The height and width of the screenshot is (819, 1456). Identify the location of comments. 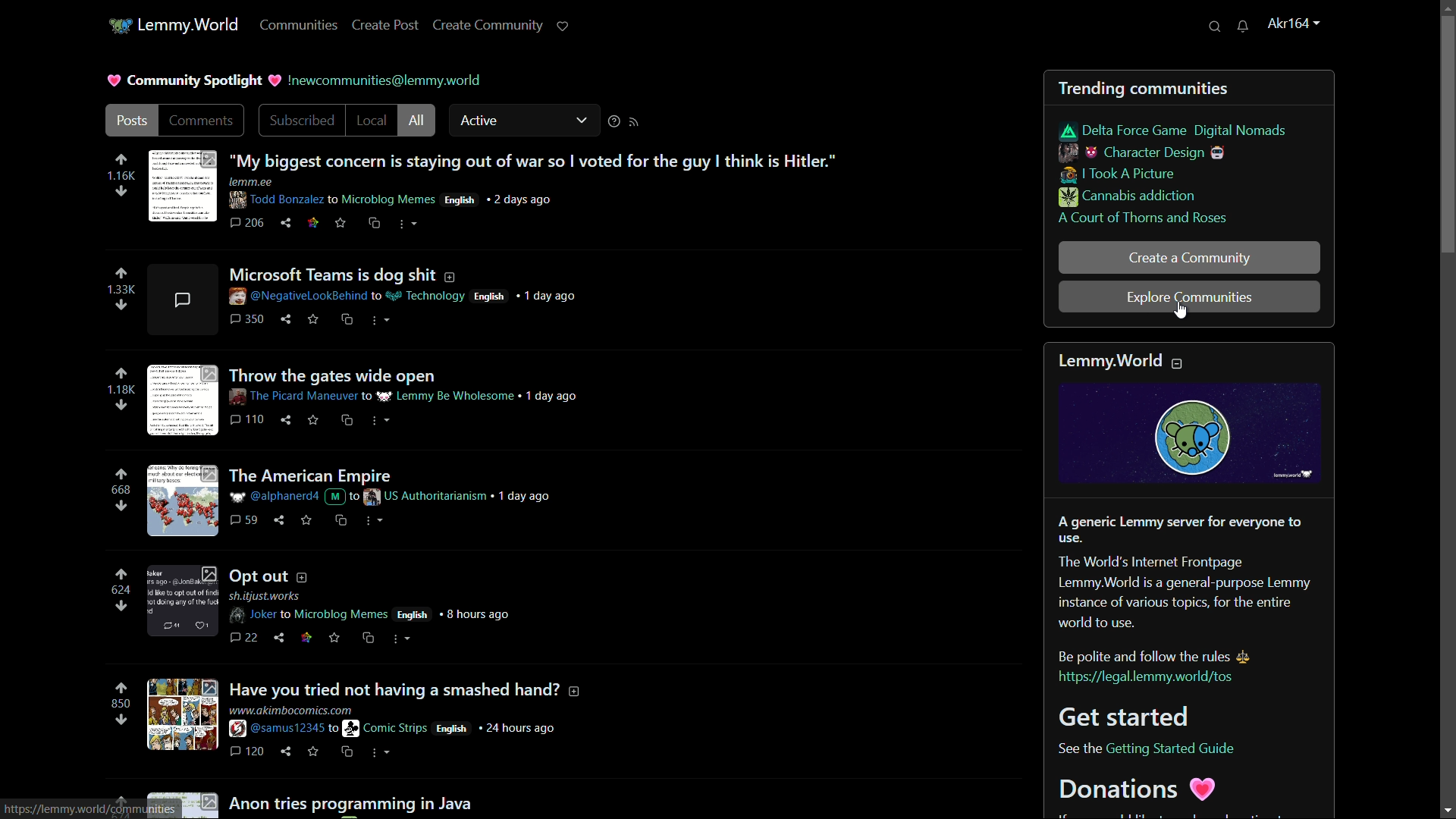
(246, 318).